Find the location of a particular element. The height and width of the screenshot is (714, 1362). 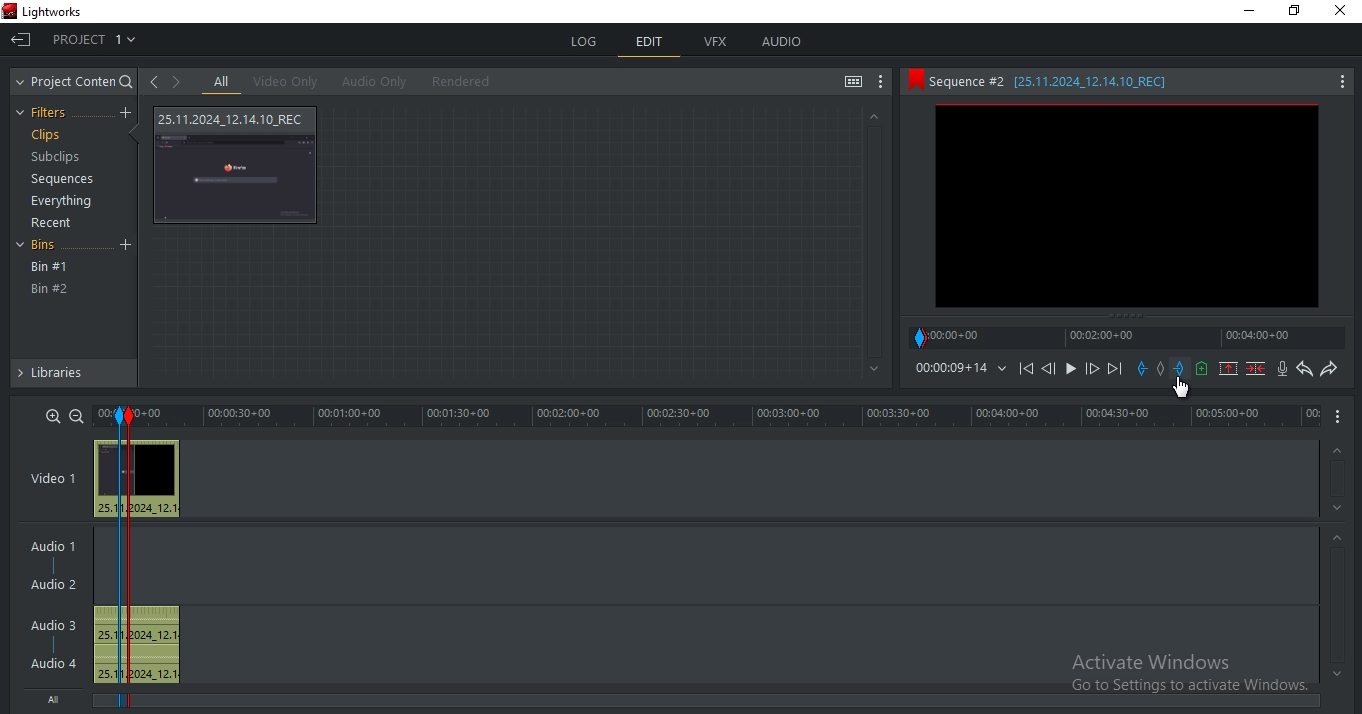

rendered is located at coordinates (461, 81).